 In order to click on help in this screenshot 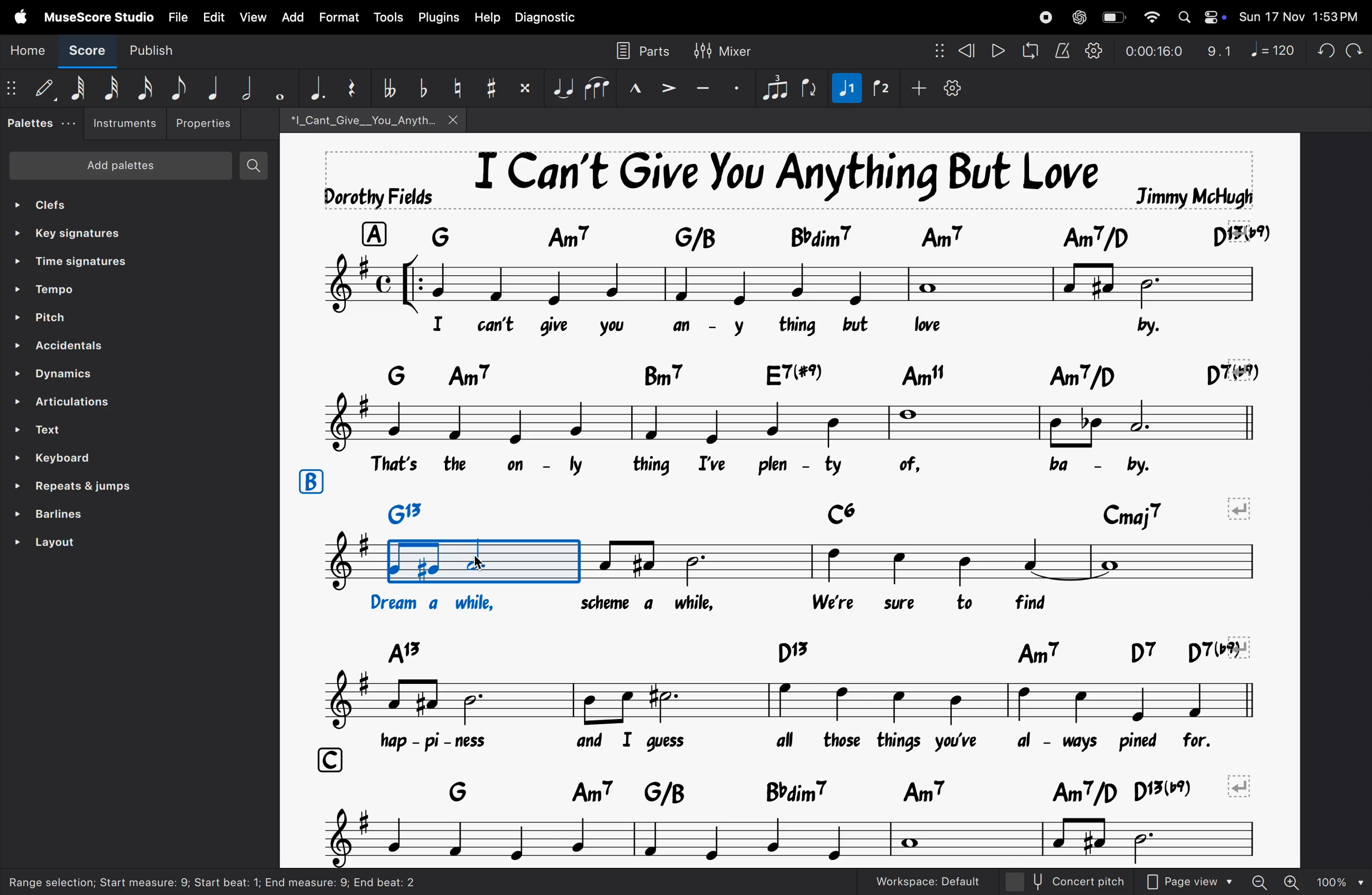, I will do `click(487, 19)`.